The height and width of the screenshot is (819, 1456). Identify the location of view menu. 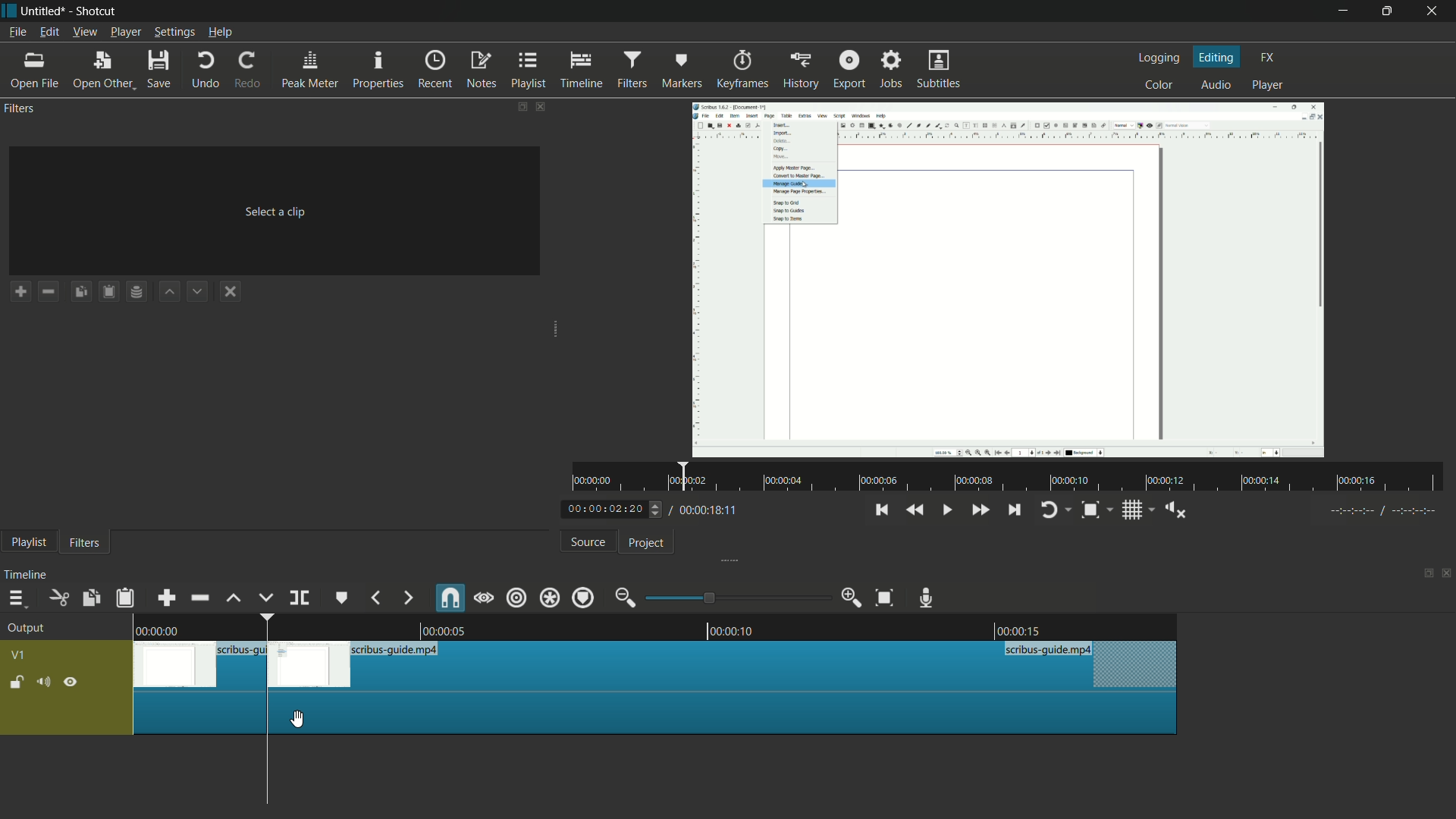
(86, 32).